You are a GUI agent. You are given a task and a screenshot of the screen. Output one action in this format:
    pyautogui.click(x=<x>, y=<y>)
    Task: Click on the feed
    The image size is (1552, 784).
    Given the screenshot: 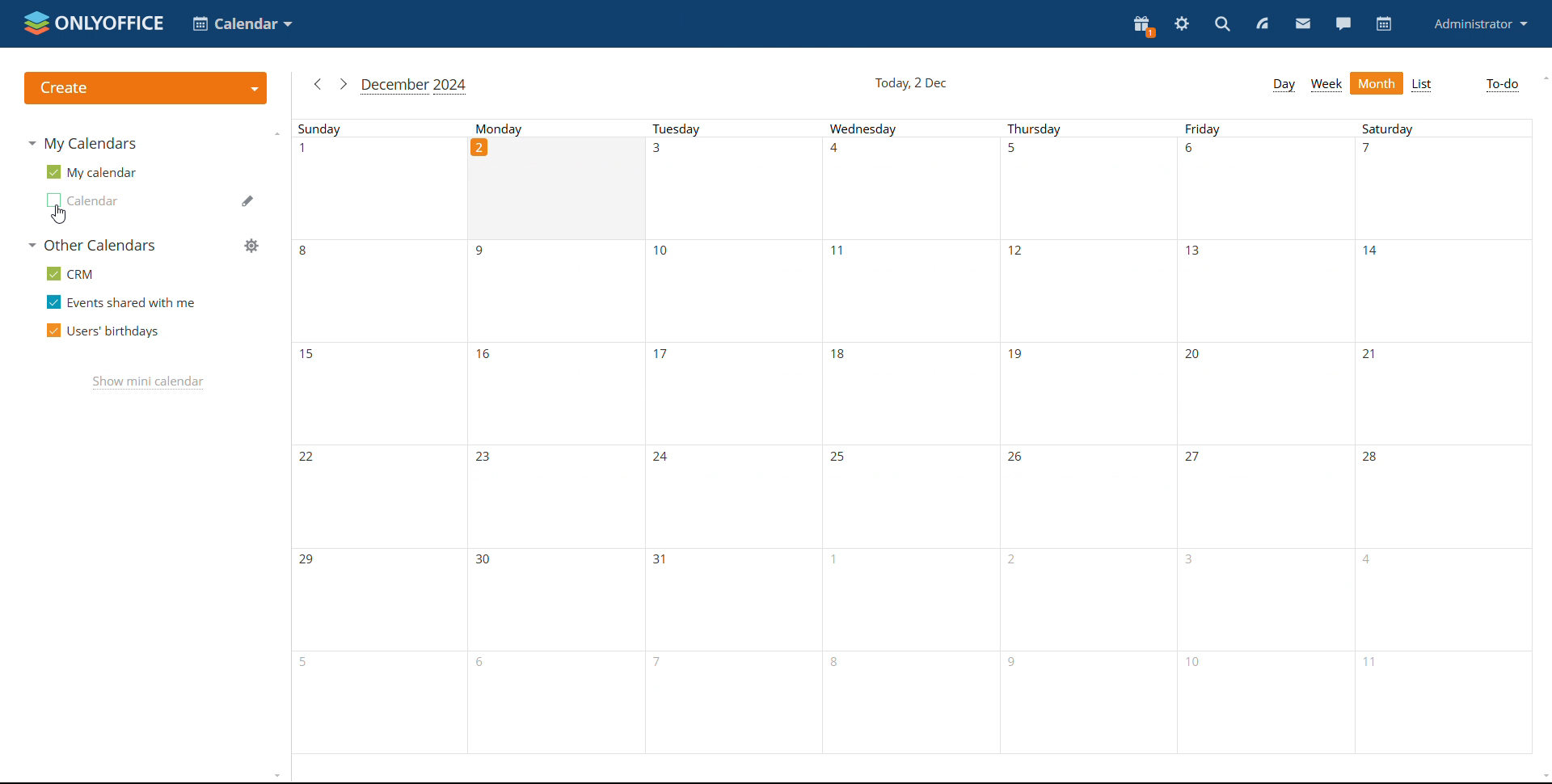 What is the action you would take?
    pyautogui.click(x=1264, y=25)
    